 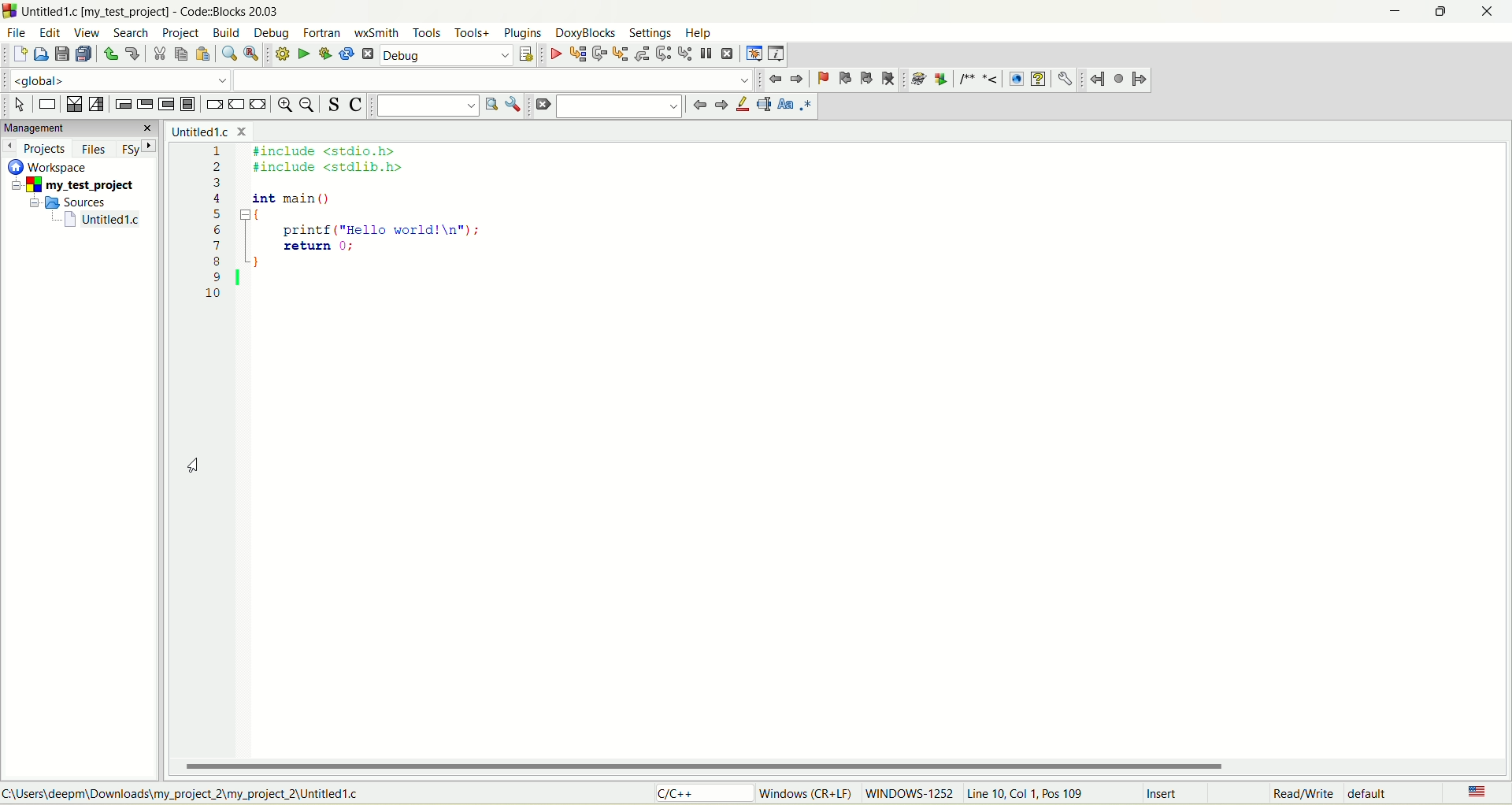 What do you see at coordinates (49, 104) in the screenshot?
I see `instruction` at bounding box center [49, 104].